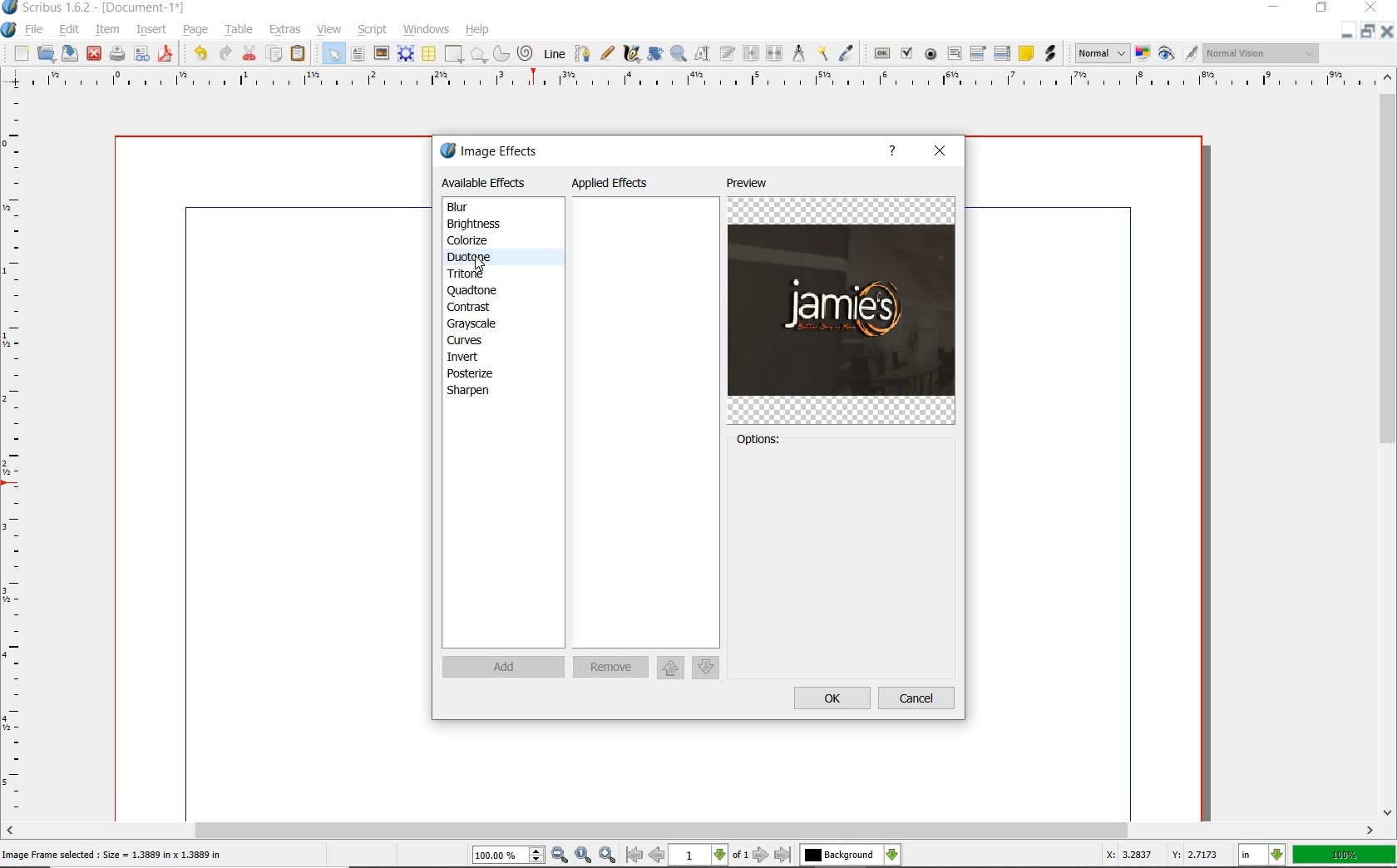 The width and height of the screenshot is (1397, 868). I want to click on zoom factor, so click(1345, 856).